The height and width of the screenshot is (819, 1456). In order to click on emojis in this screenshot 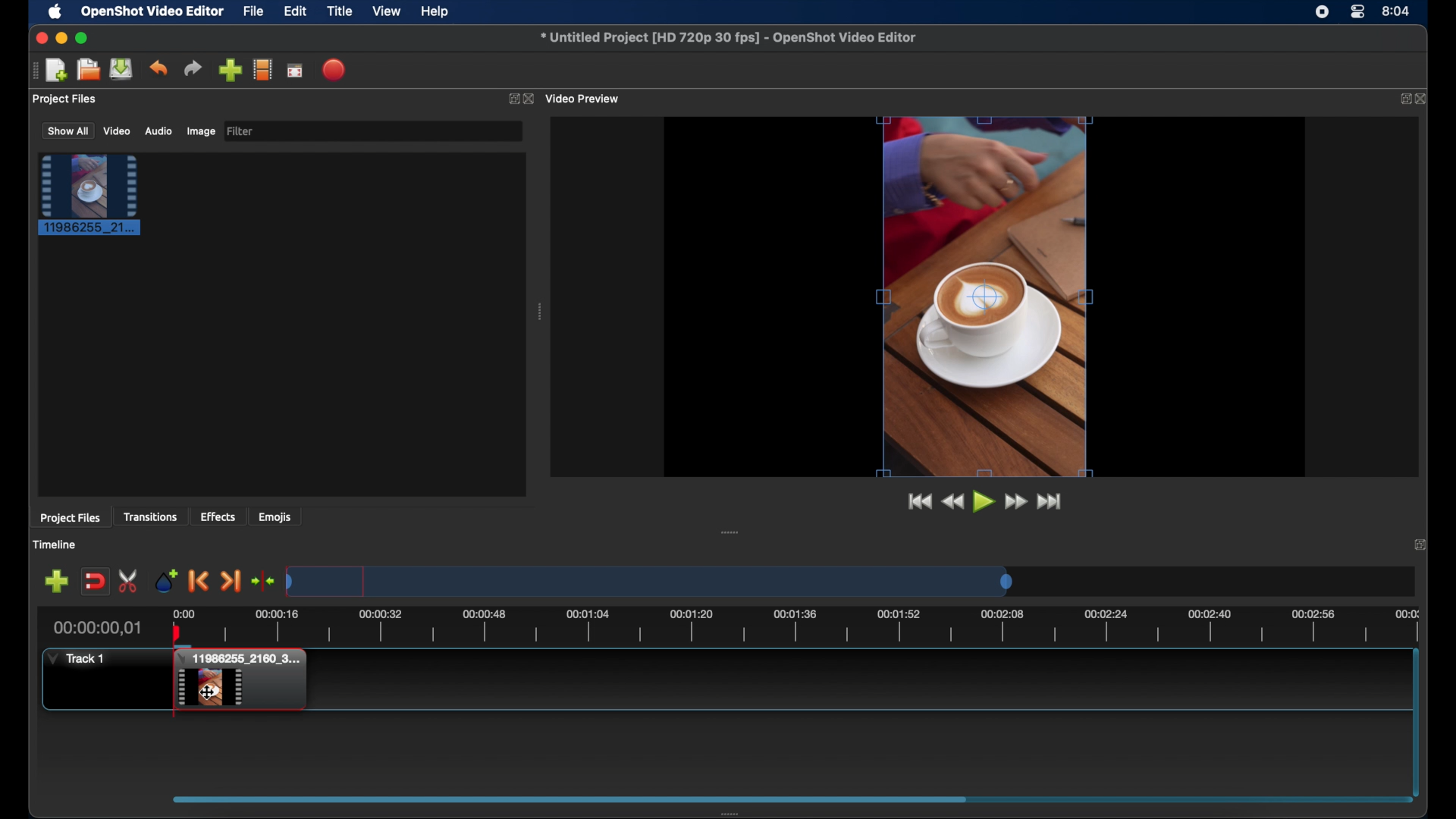, I will do `click(275, 518)`.